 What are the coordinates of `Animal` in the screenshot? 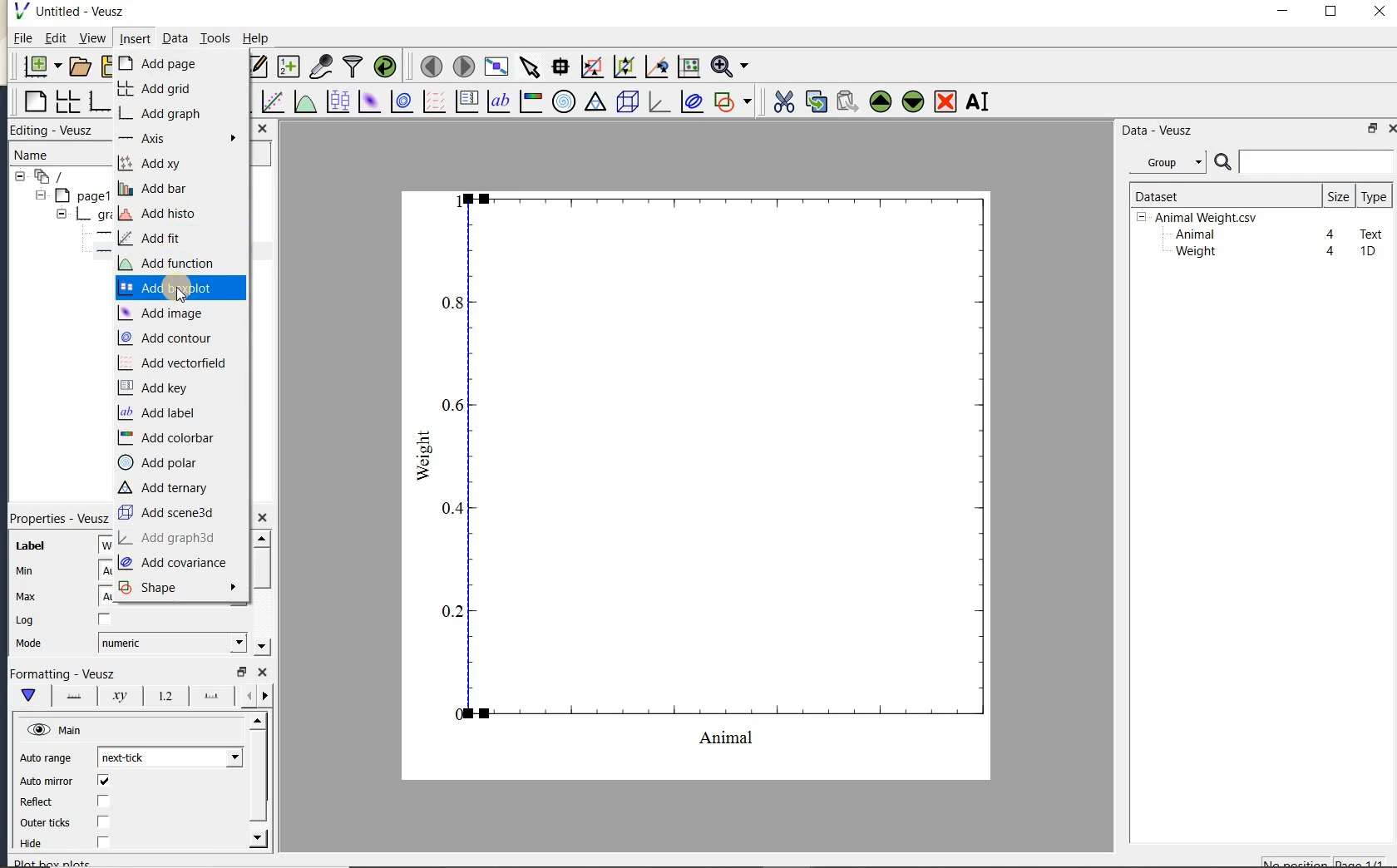 It's located at (1193, 235).